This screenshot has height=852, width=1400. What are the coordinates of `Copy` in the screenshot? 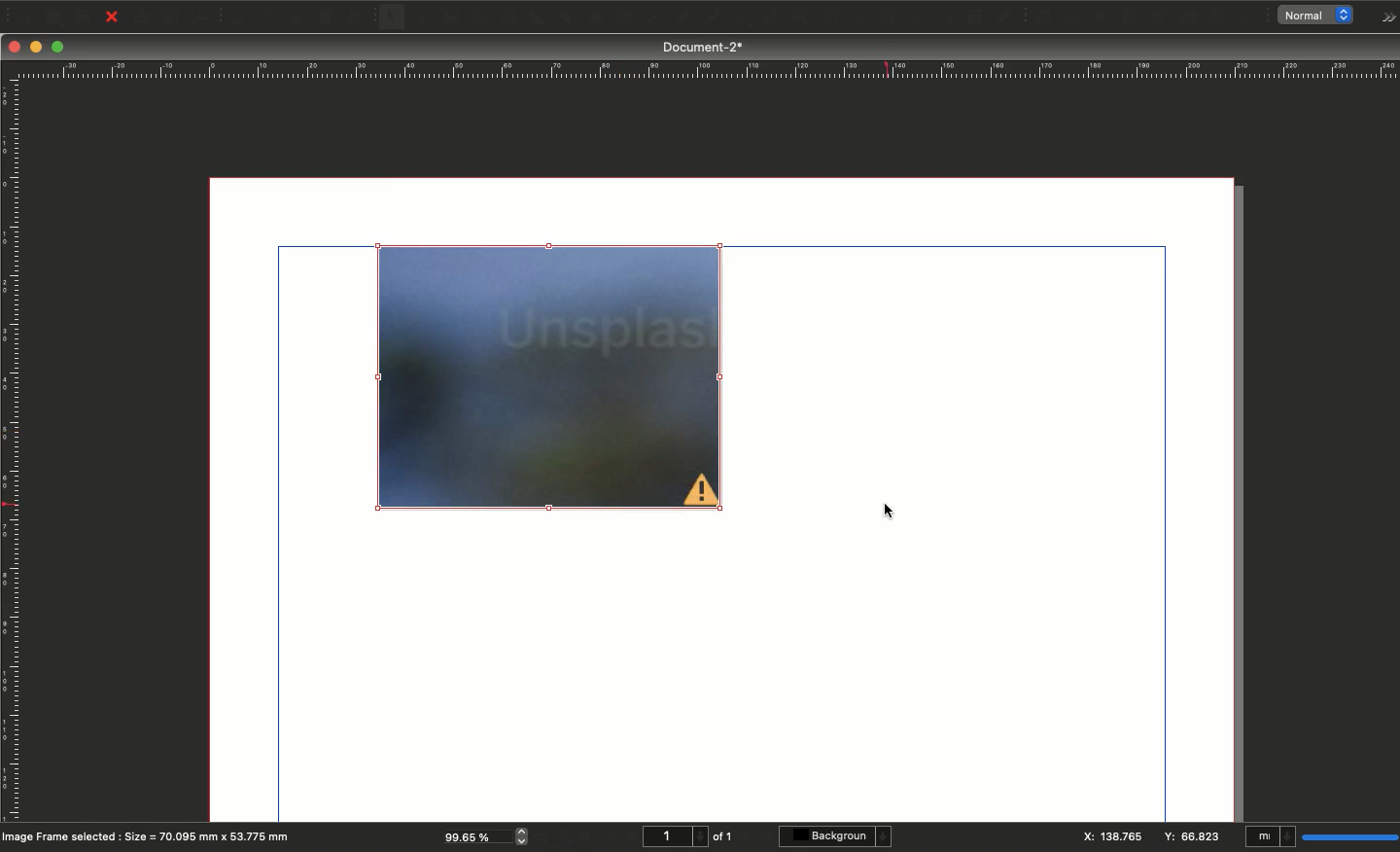 It's located at (327, 18).